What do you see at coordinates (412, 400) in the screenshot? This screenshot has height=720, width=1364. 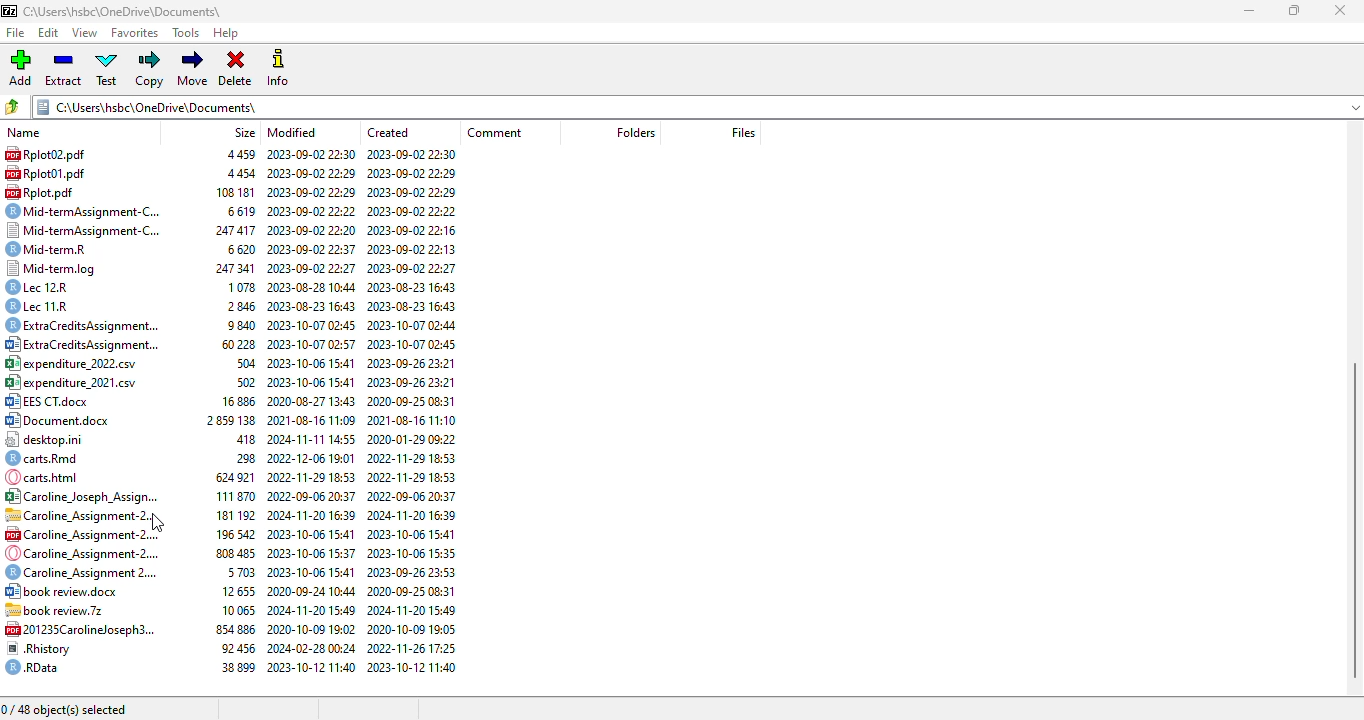 I see `2020-09-25 08:31` at bounding box center [412, 400].